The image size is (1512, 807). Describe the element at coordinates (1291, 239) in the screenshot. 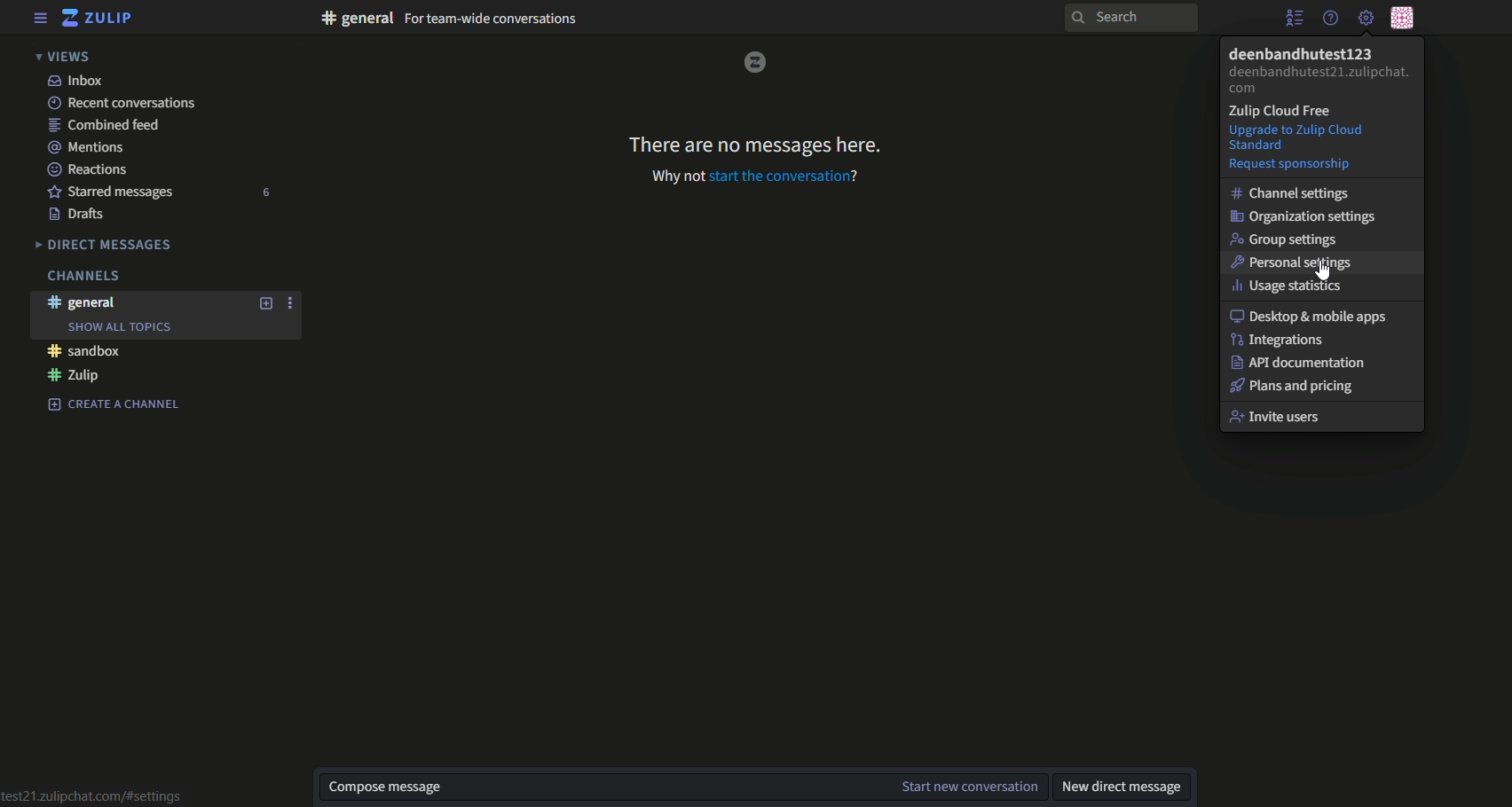

I see `Group settings` at that location.